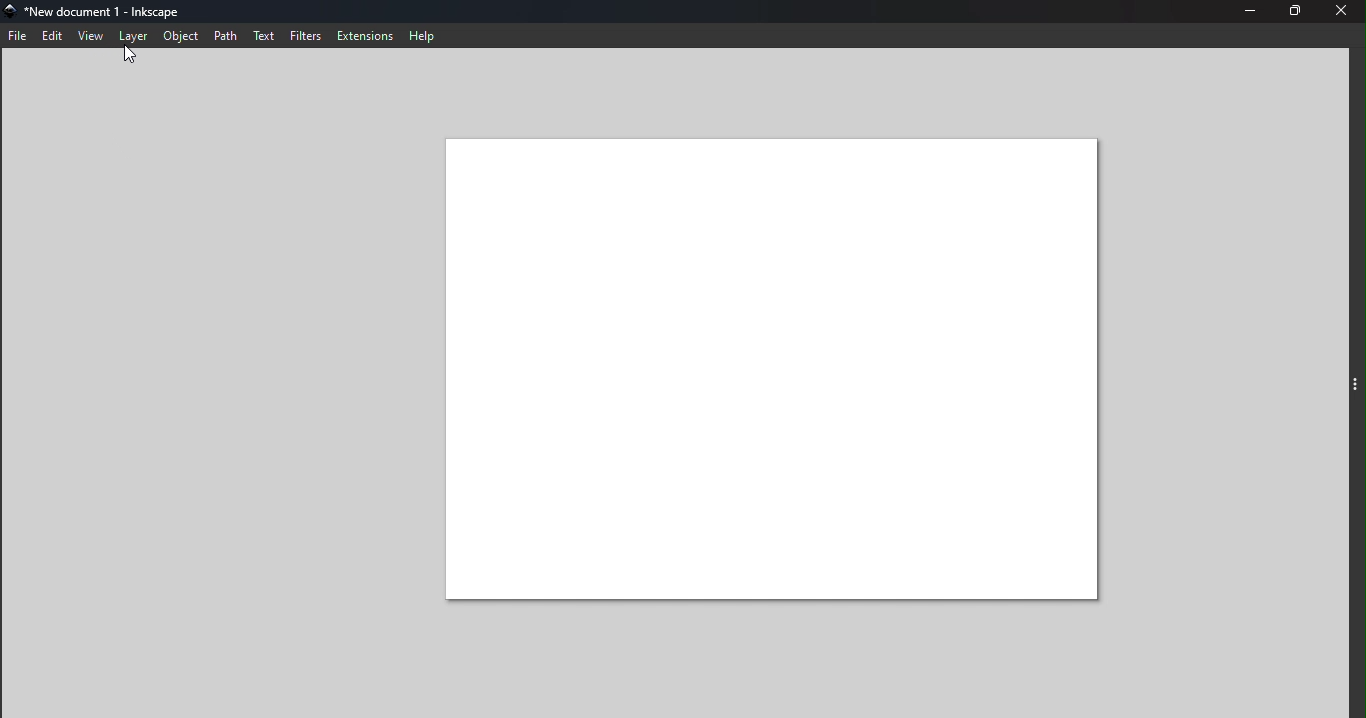  I want to click on Filters, so click(307, 37).